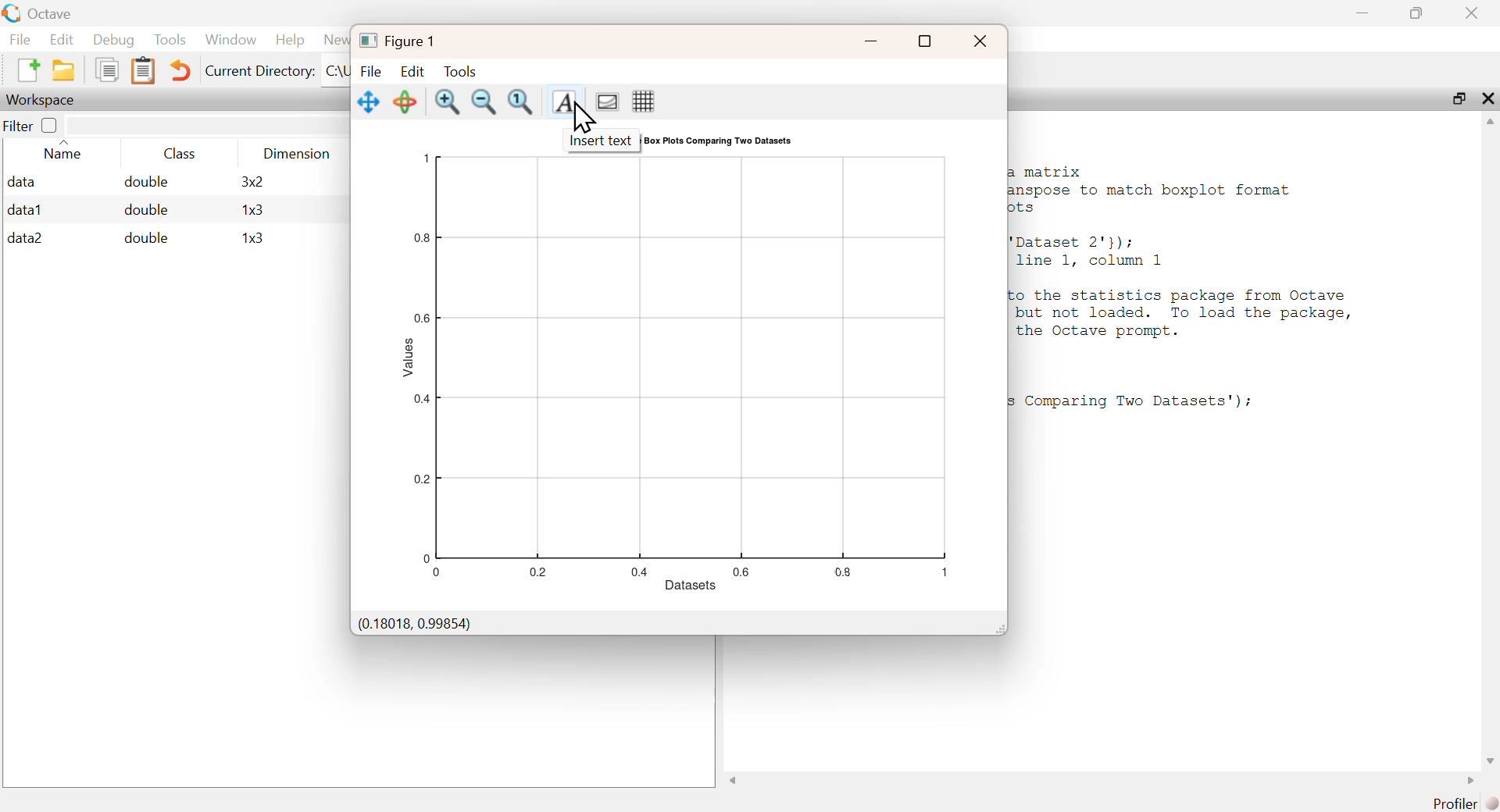  I want to click on scroll down, so click(1486, 760).